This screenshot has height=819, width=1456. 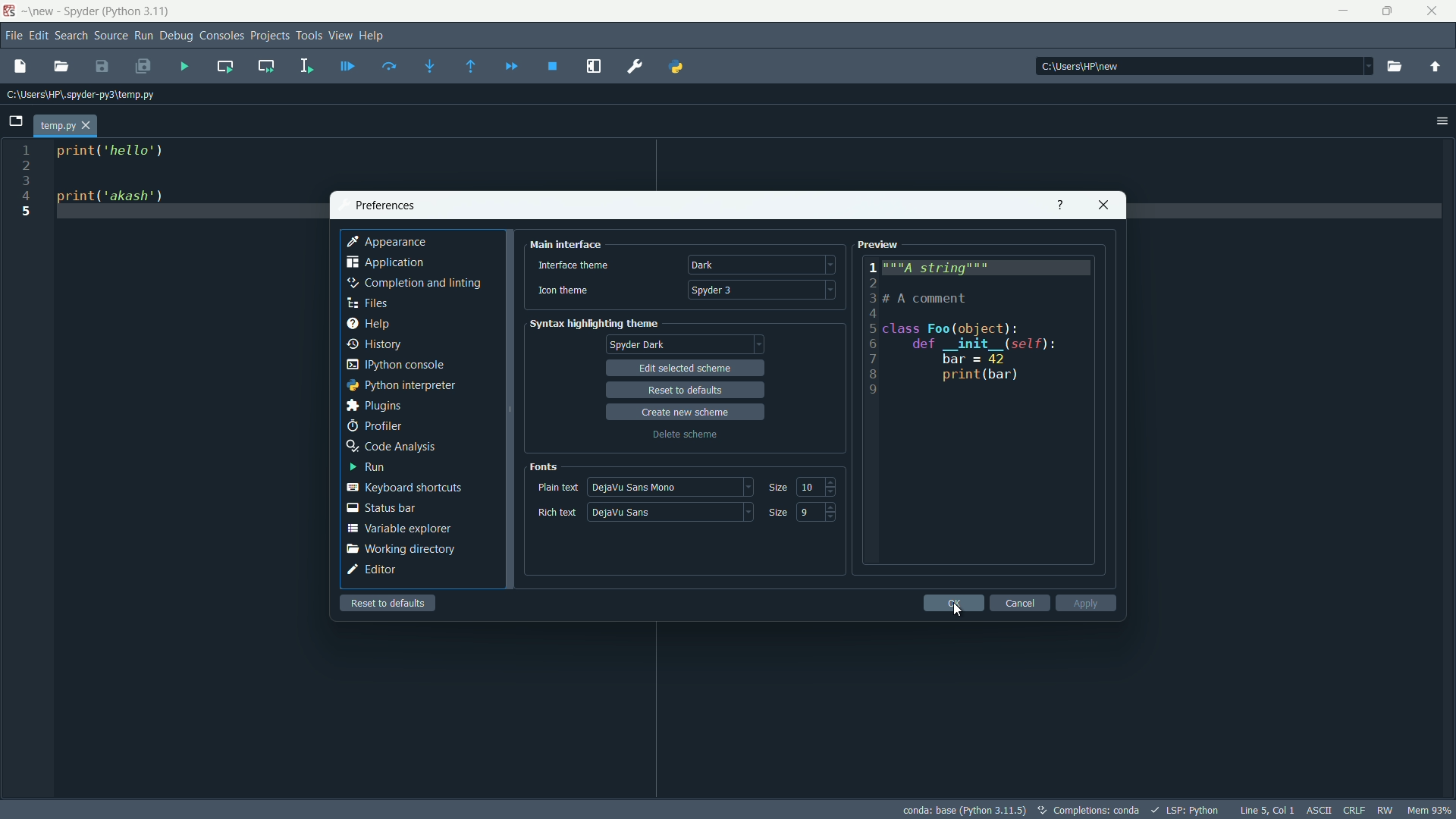 I want to click on parent directory, so click(x=1434, y=67).